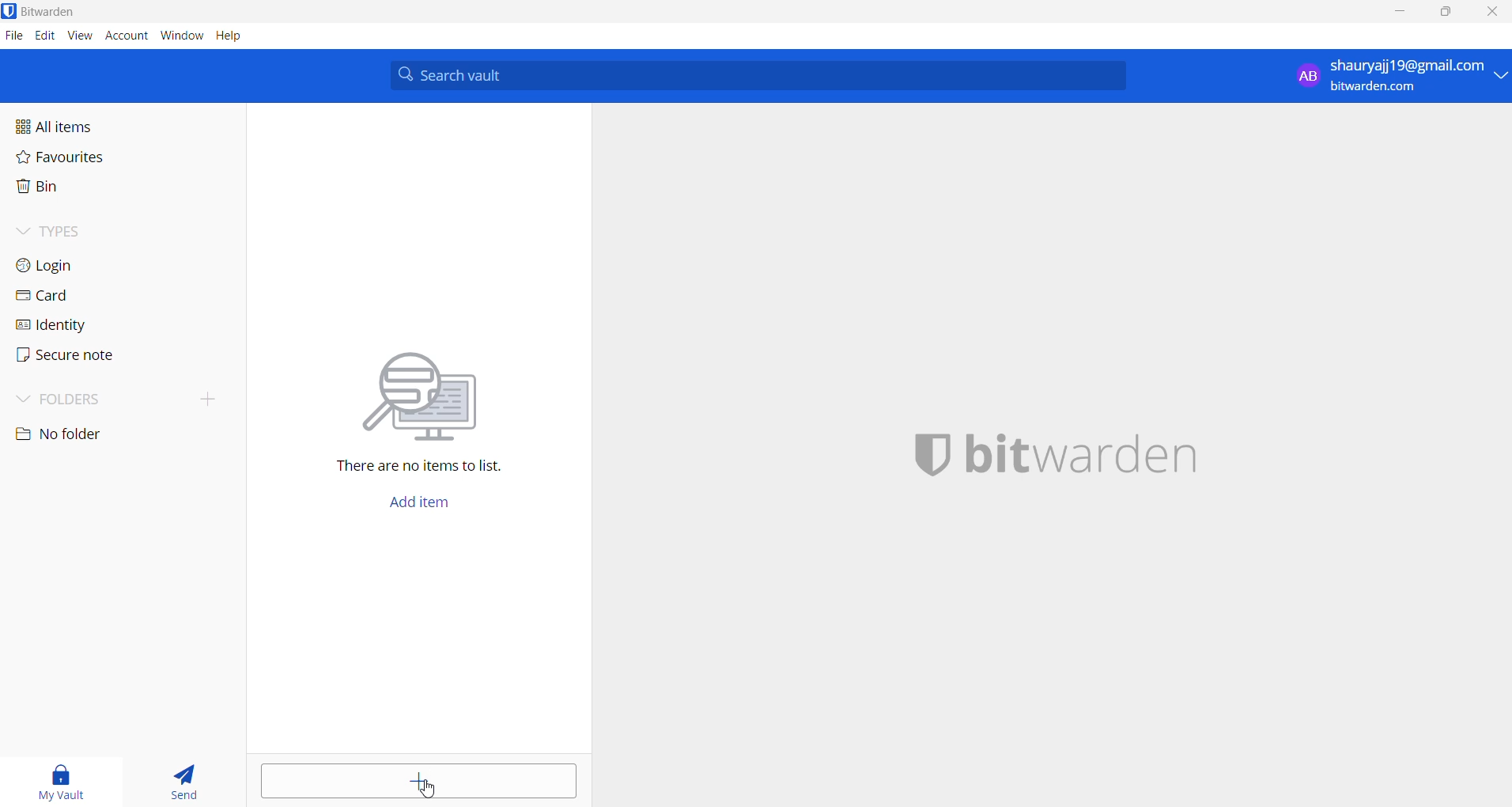  I want to click on graphical illustration conveying searching for a file, so click(435, 393).